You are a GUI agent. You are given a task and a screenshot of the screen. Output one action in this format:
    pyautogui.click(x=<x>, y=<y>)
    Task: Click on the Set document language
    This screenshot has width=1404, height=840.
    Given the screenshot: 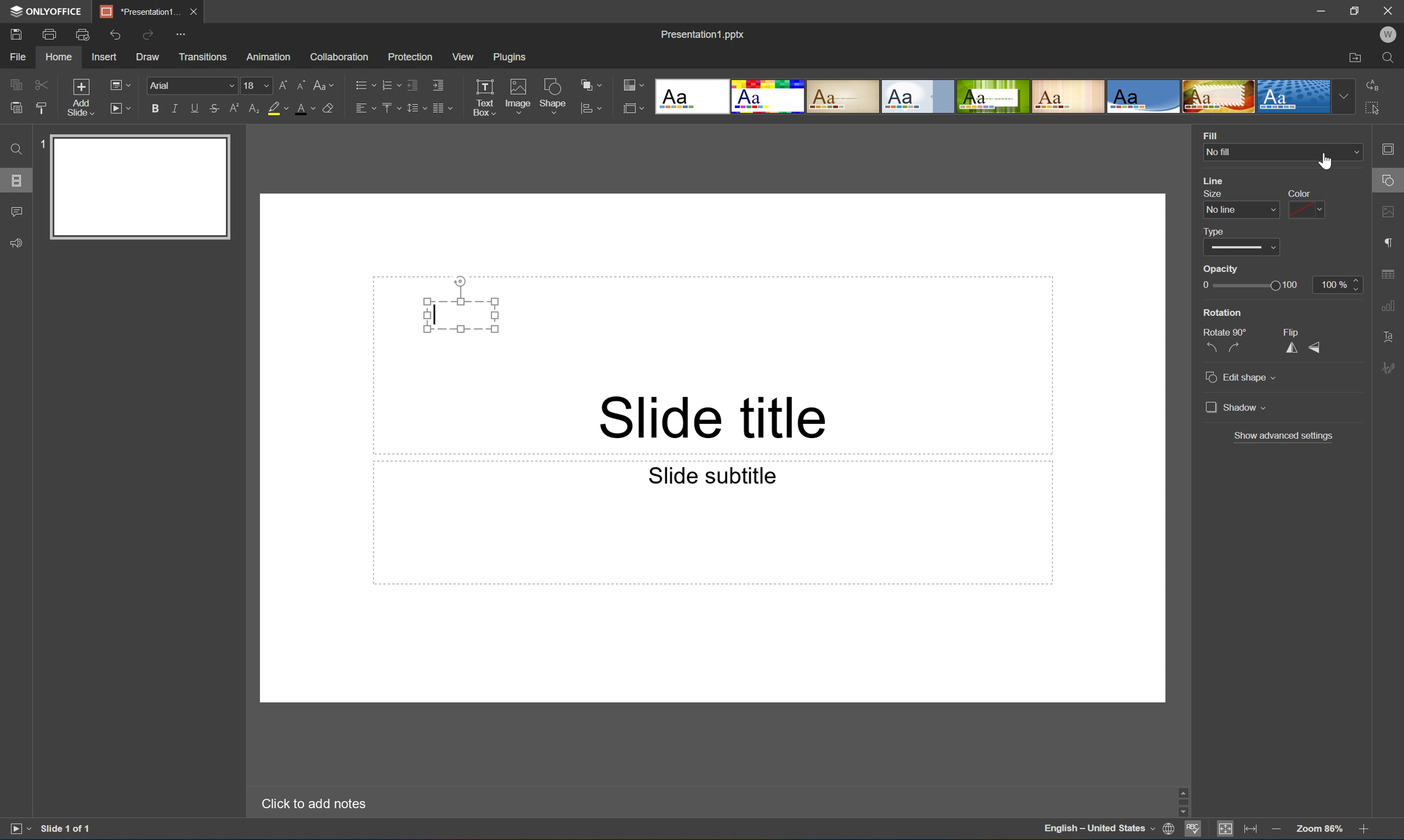 What is the action you would take?
    pyautogui.click(x=1171, y=830)
    